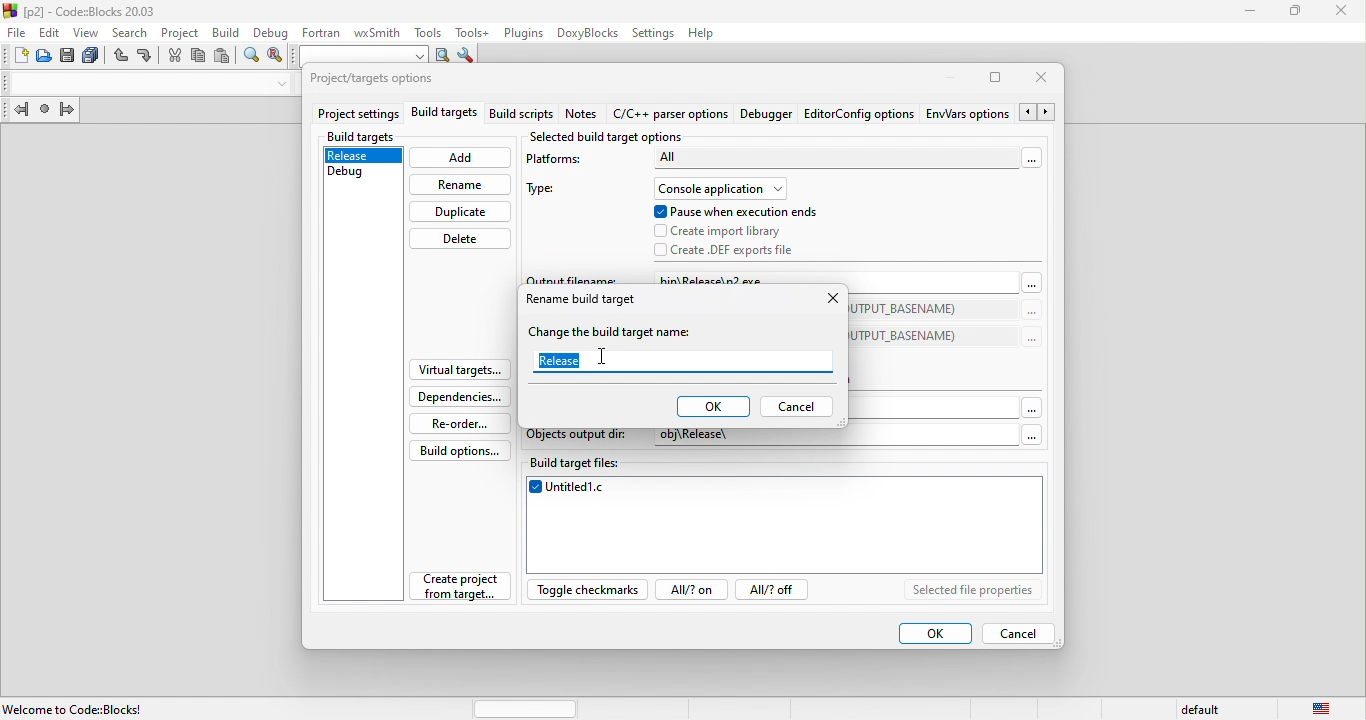 The height and width of the screenshot is (720, 1366). What do you see at coordinates (967, 113) in the screenshot?
I see `env\ars option` at bounding box center [967, 113].